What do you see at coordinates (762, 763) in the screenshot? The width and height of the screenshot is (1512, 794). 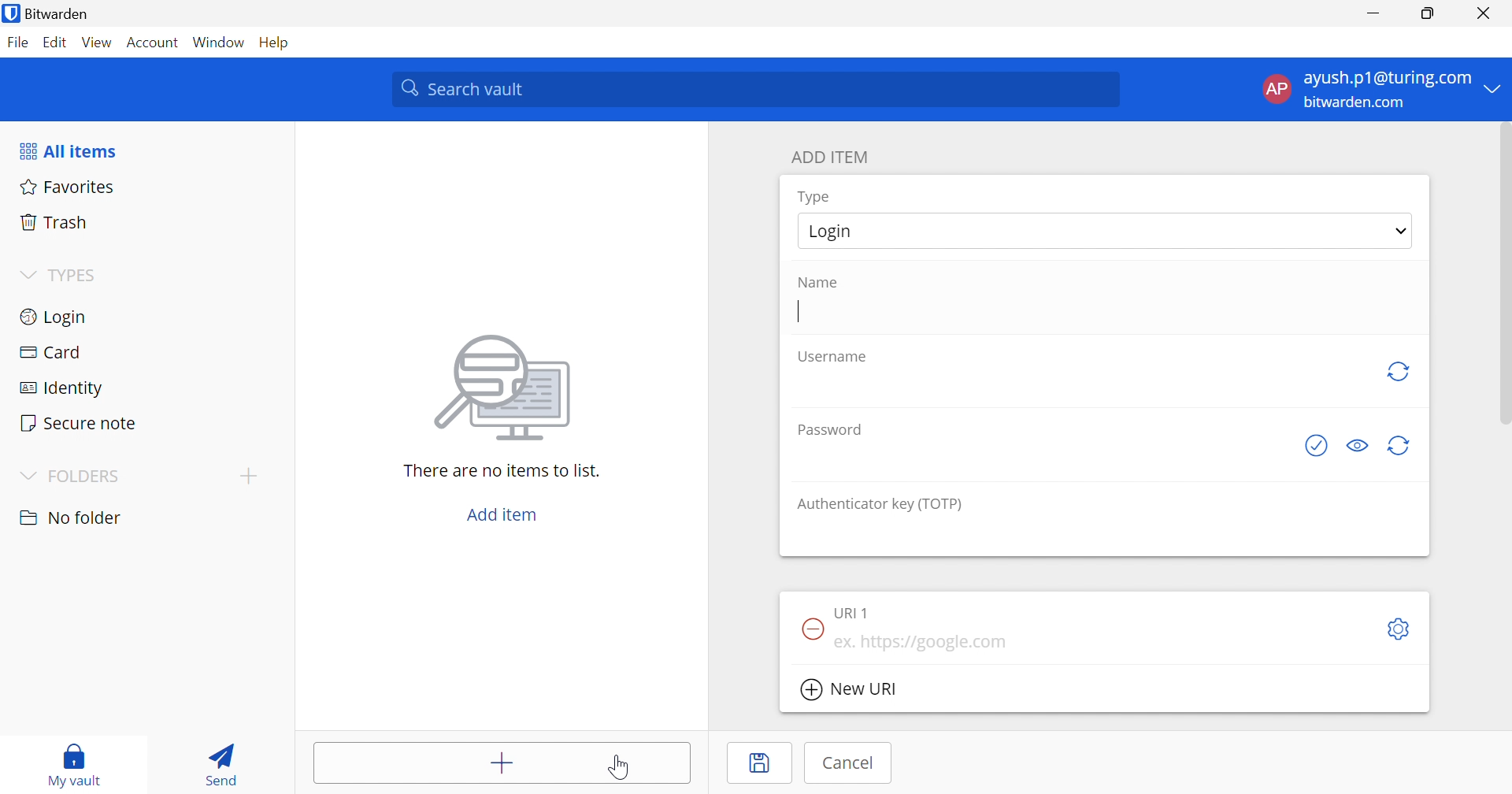 I see `Save` at bounding box center [762, 763].